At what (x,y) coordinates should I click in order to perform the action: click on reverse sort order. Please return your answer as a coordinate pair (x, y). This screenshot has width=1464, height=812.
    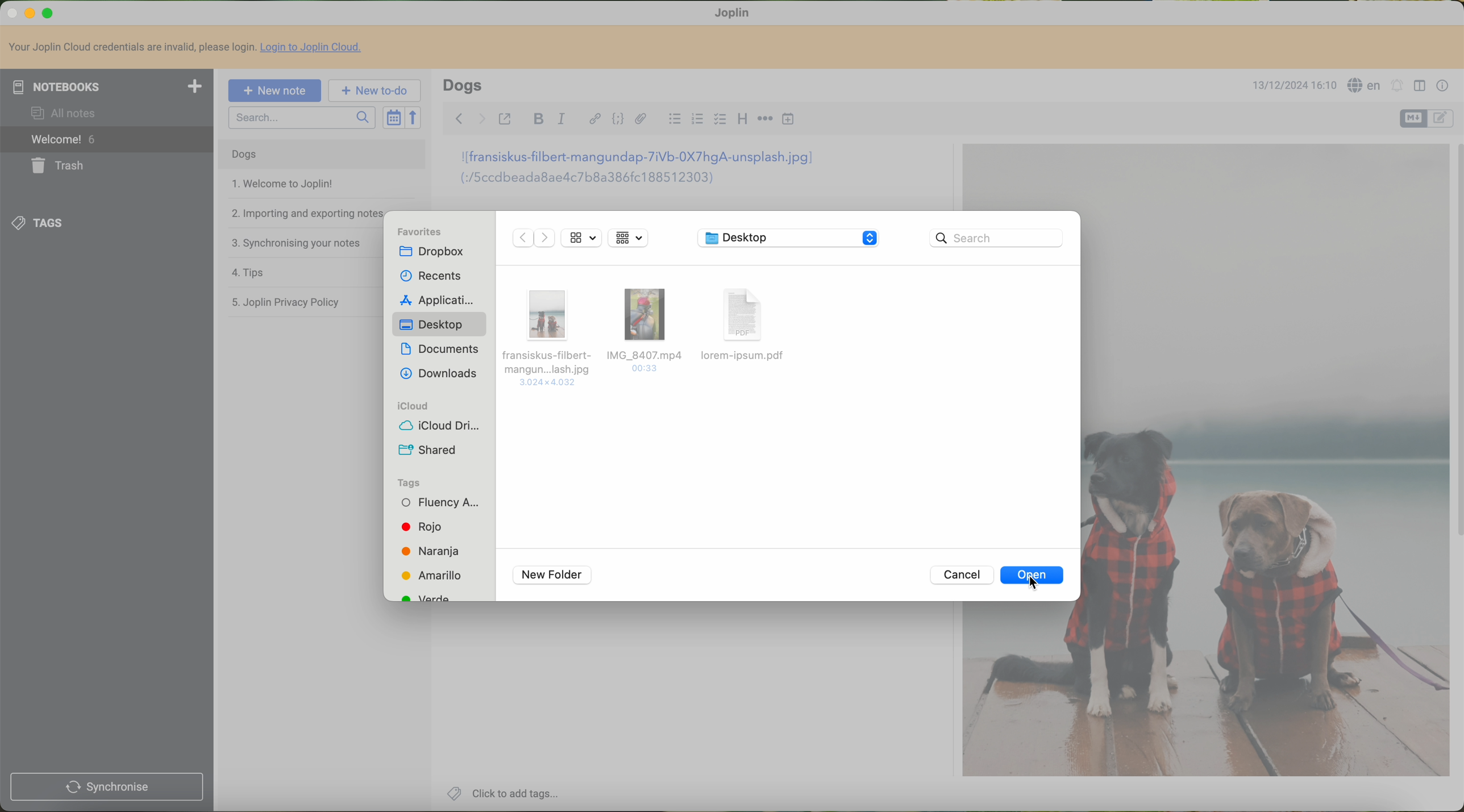
    Looking at the image, I should click on (415, 118).